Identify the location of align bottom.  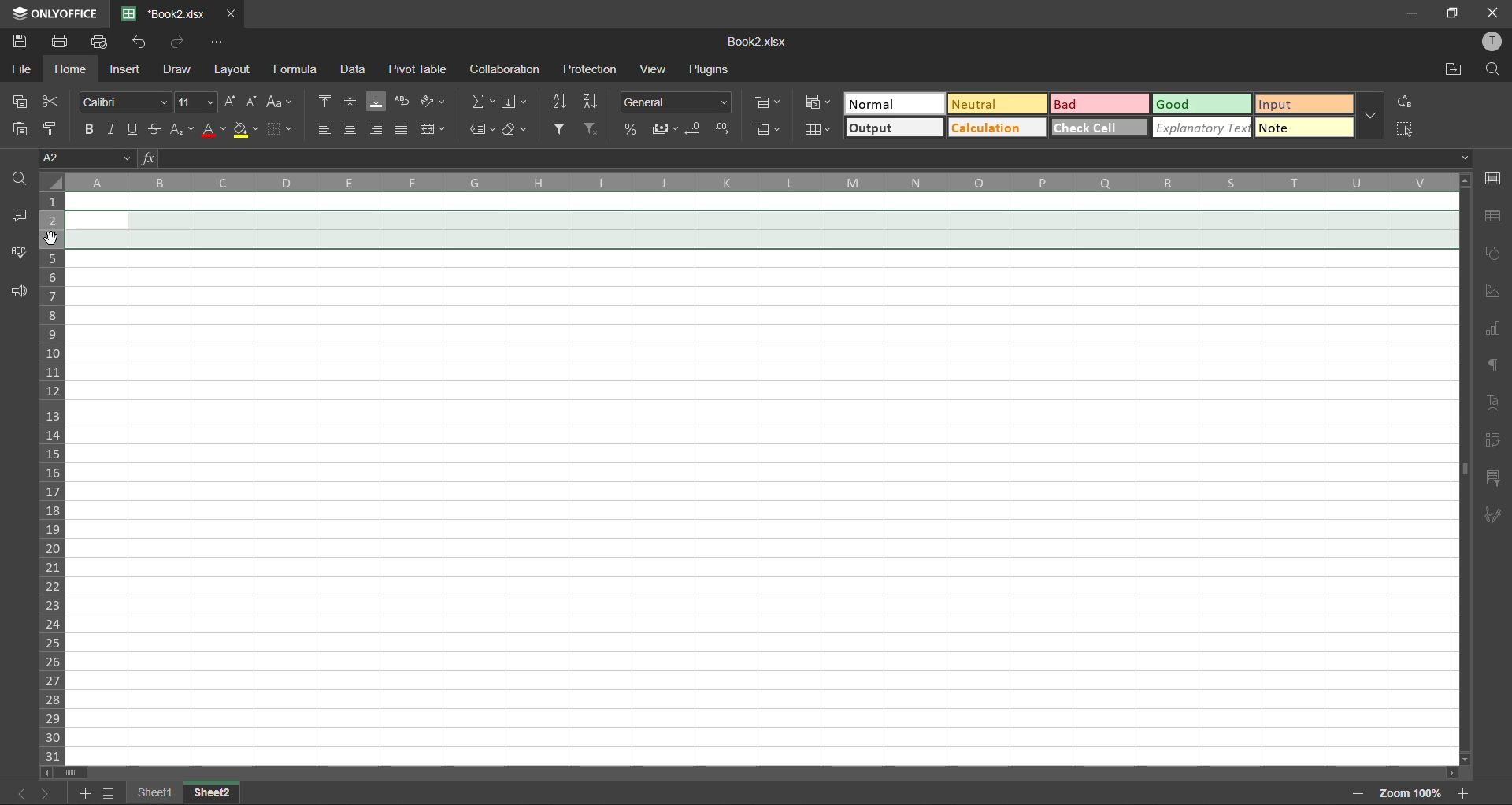
(373, 102).